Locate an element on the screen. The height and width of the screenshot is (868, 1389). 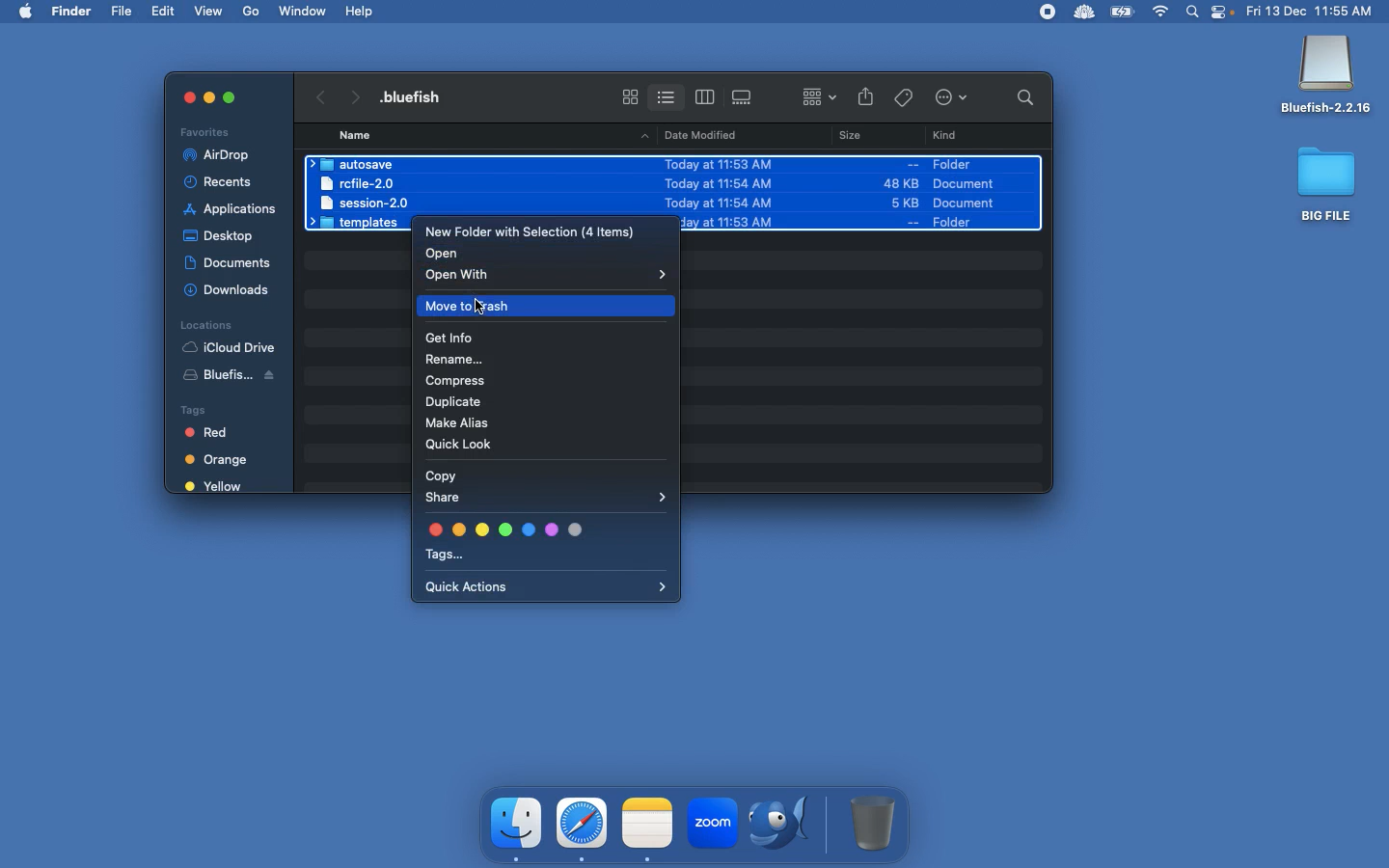
zoom is located at coordinates (711, 826).